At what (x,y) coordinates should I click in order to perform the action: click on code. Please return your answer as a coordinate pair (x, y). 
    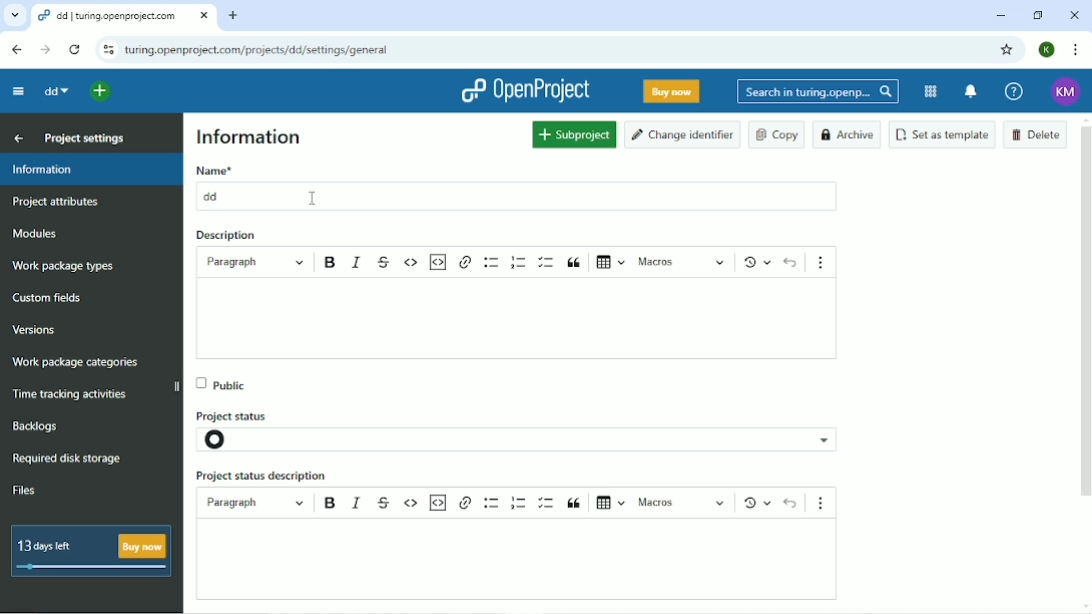
    Looking at the image, I should click on (411, 503).